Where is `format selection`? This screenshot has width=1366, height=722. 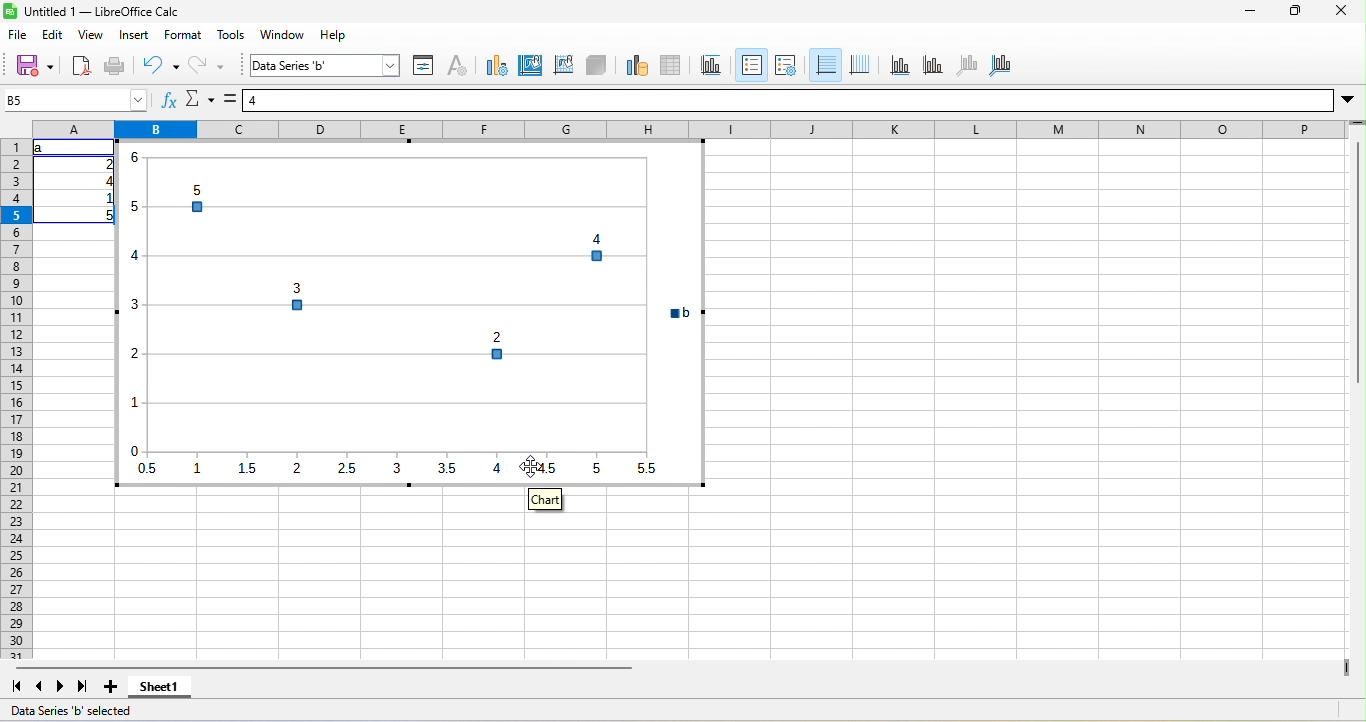 format selection is located at coordinates (423, 67).